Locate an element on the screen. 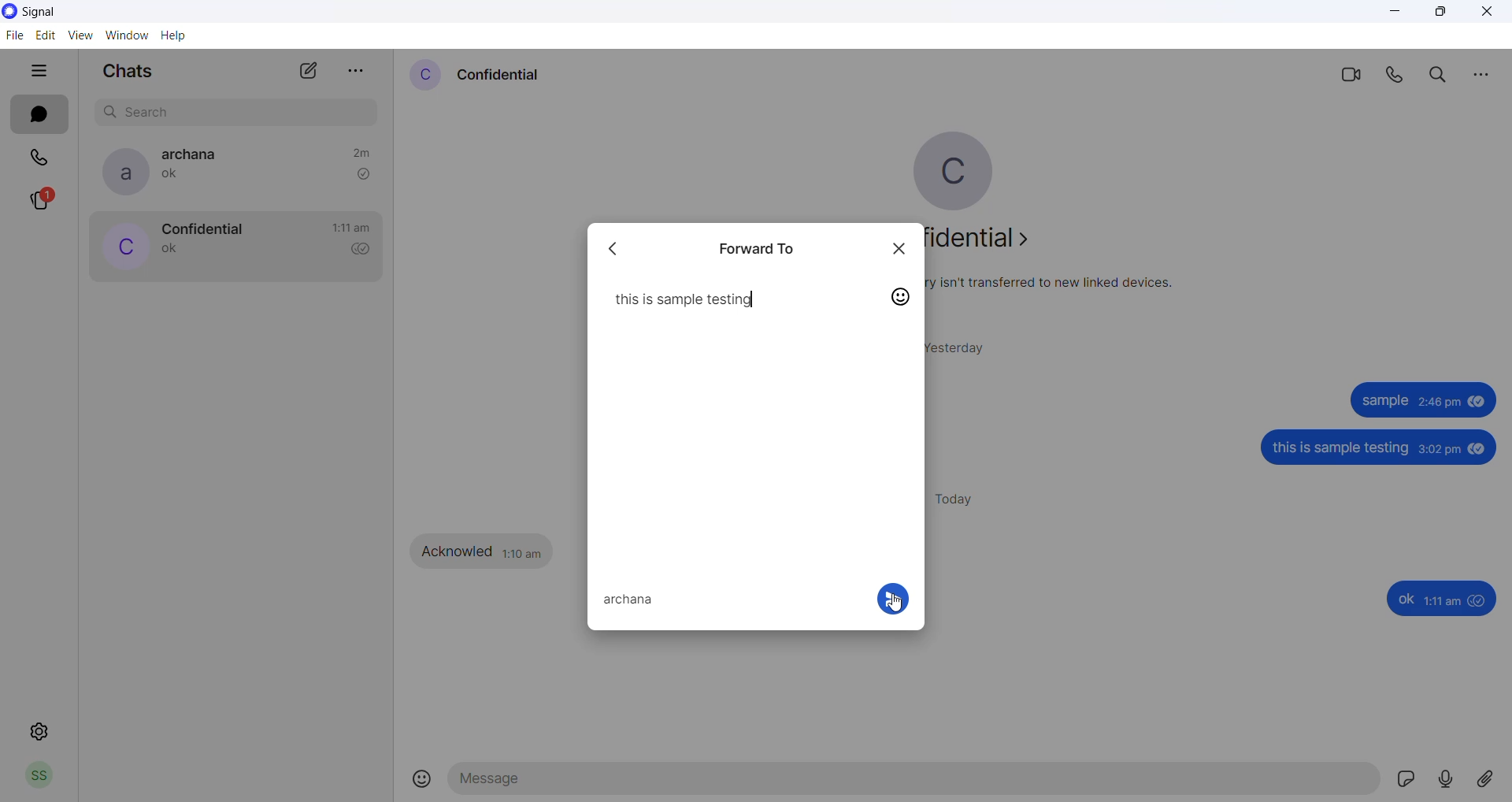 The height and width of the screenshot is (802, 1512). close is located at coordinates (900, 250).